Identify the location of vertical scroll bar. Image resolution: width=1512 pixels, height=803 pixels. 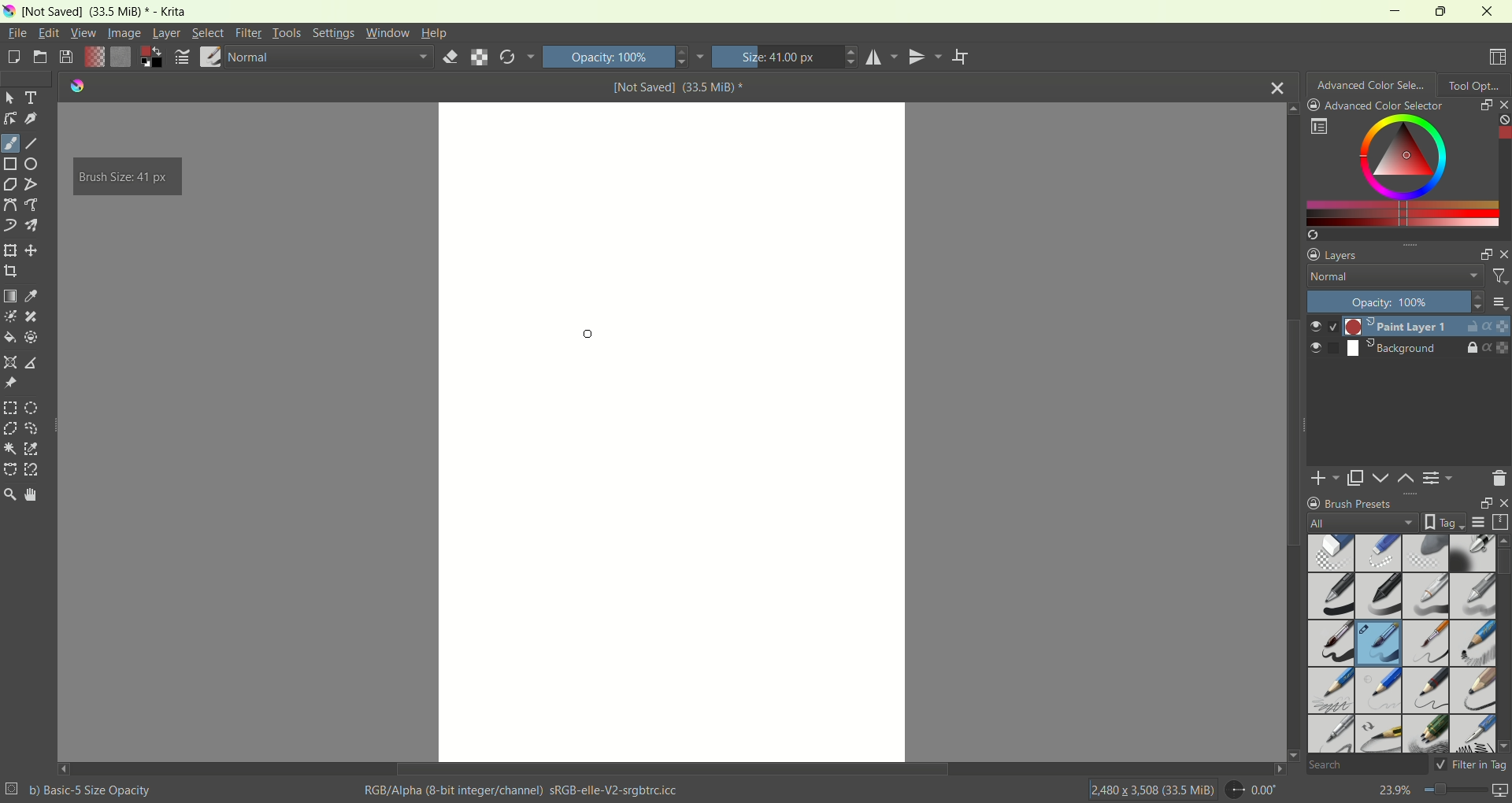
(1503, 643).